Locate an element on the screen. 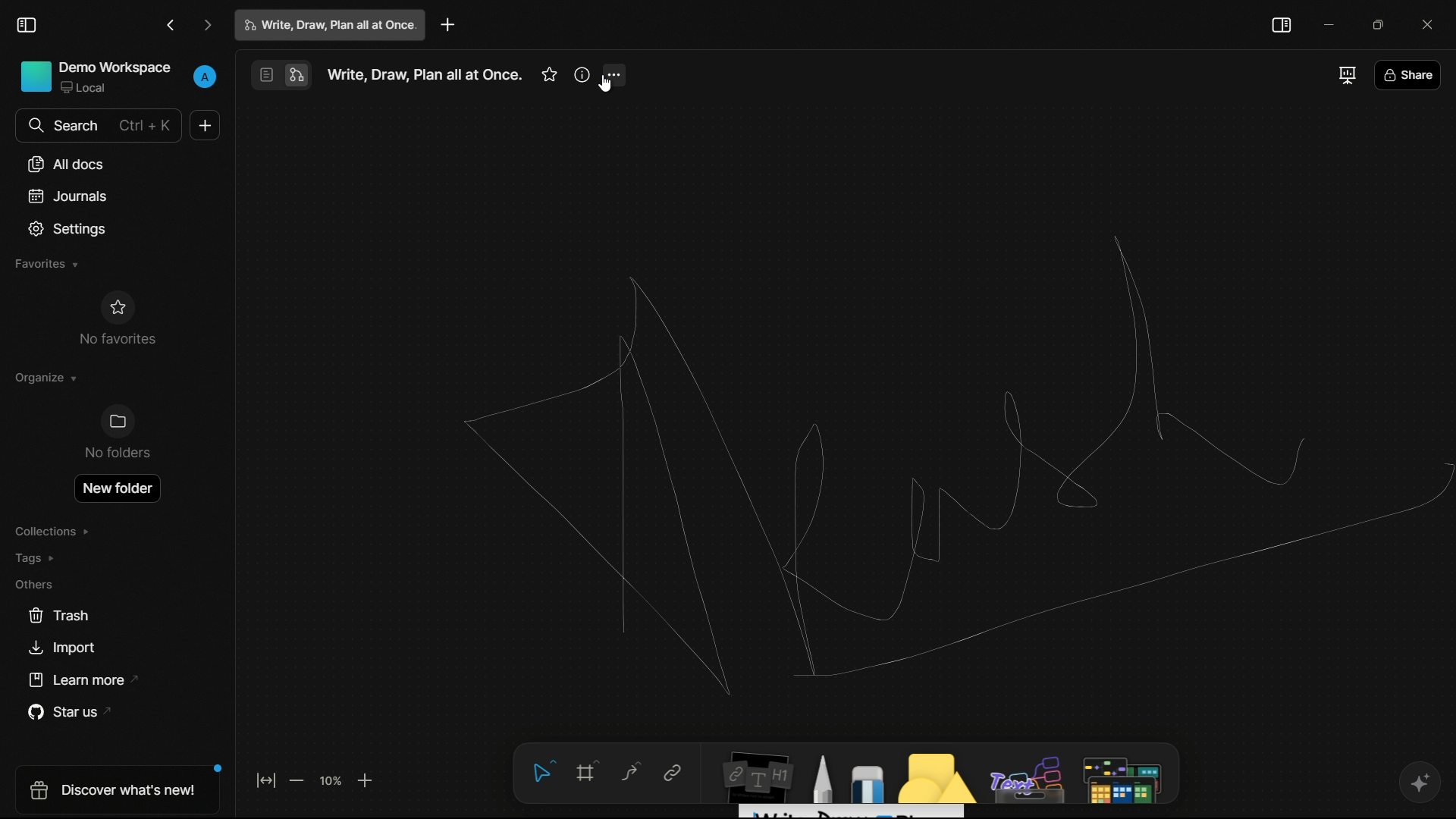 The image size is (1456, 819). settings is located at coordinates (67, 229).